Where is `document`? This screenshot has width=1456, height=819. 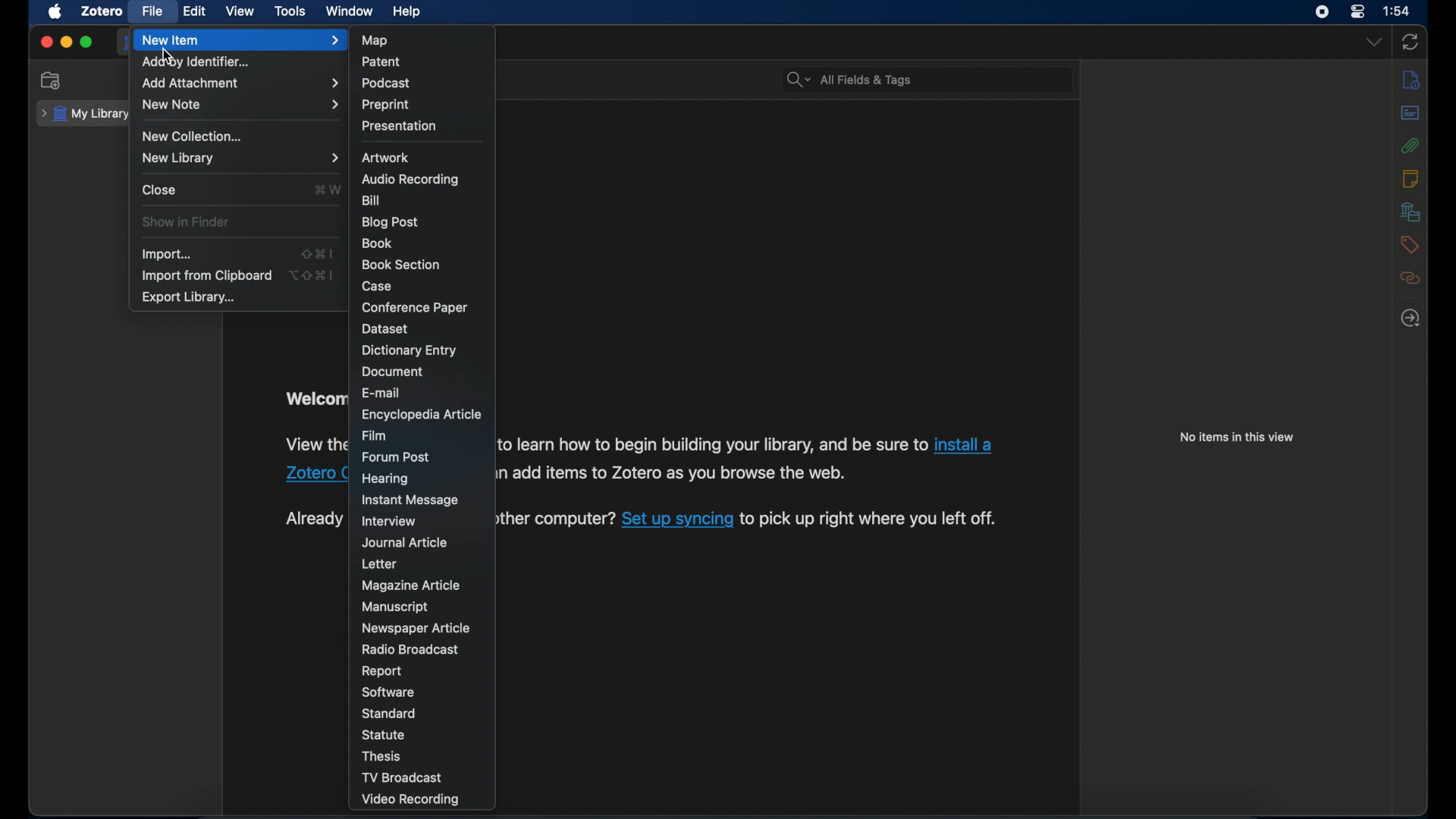 document is located at coordinates (391, 372).